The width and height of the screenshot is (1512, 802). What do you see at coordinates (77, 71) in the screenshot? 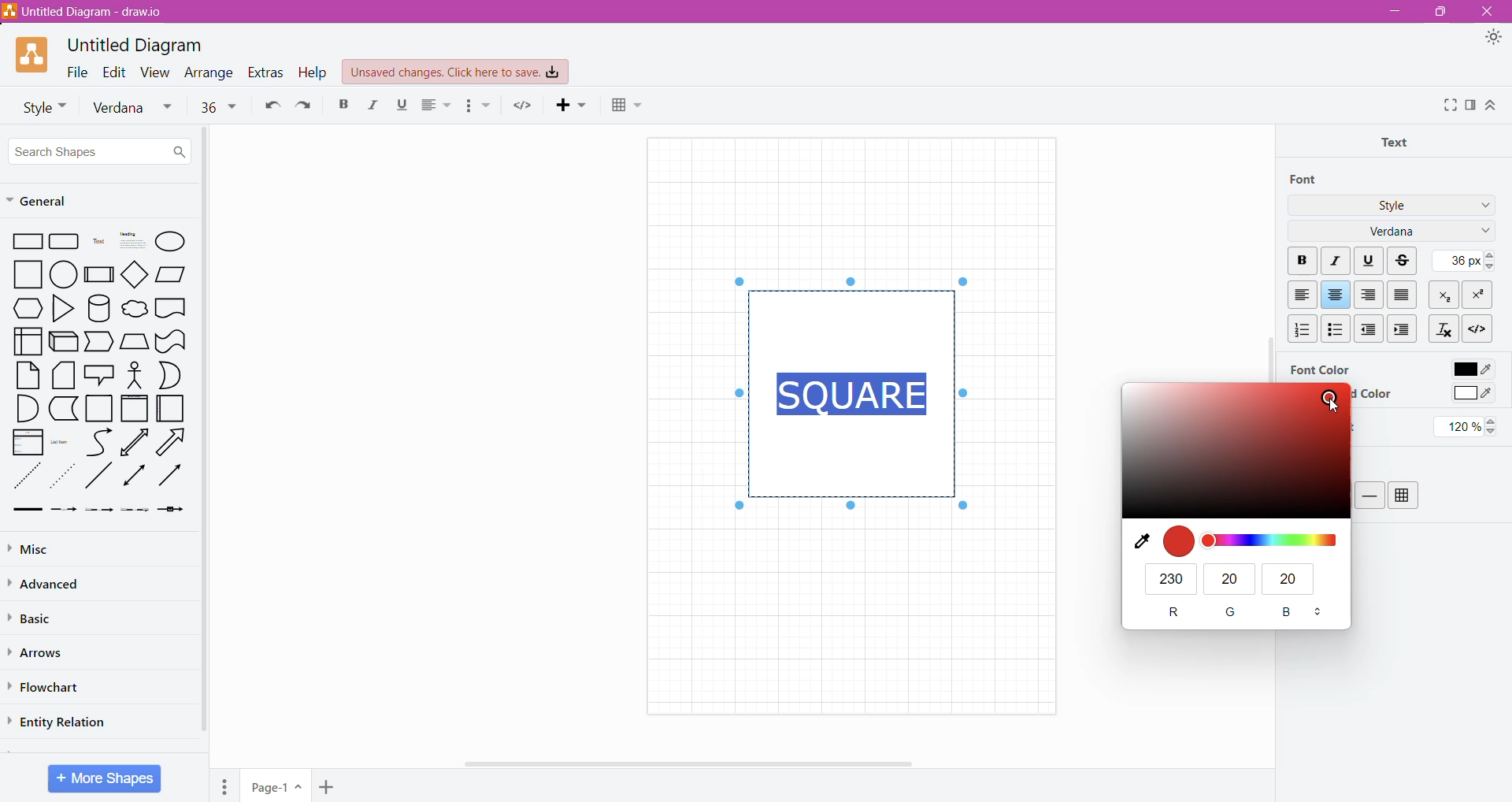
I see `File` at bounding box center [77, 71].